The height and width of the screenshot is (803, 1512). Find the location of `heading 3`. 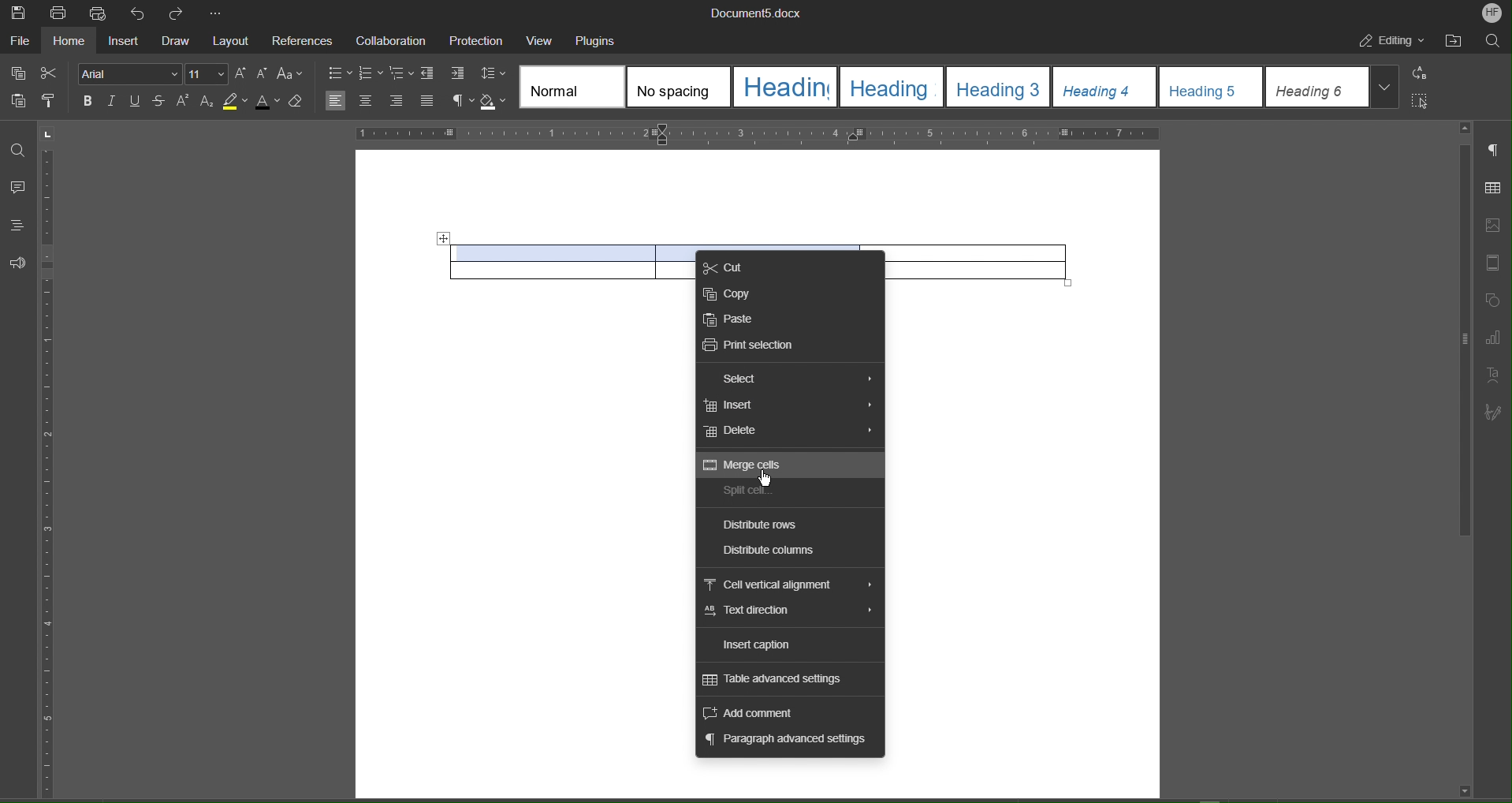

heading 3 is located at coordinates (999, 87).